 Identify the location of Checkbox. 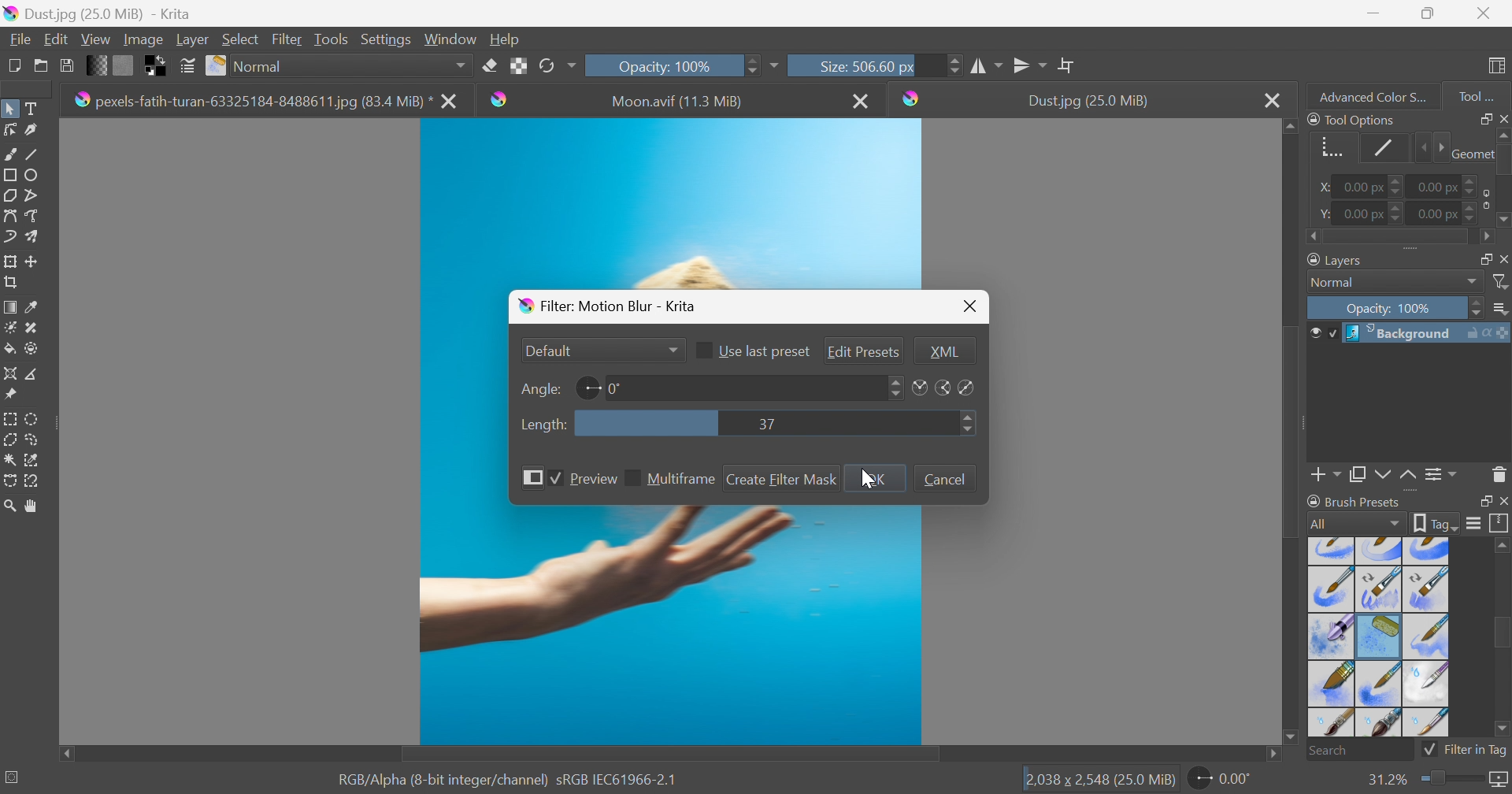
(632, 479).